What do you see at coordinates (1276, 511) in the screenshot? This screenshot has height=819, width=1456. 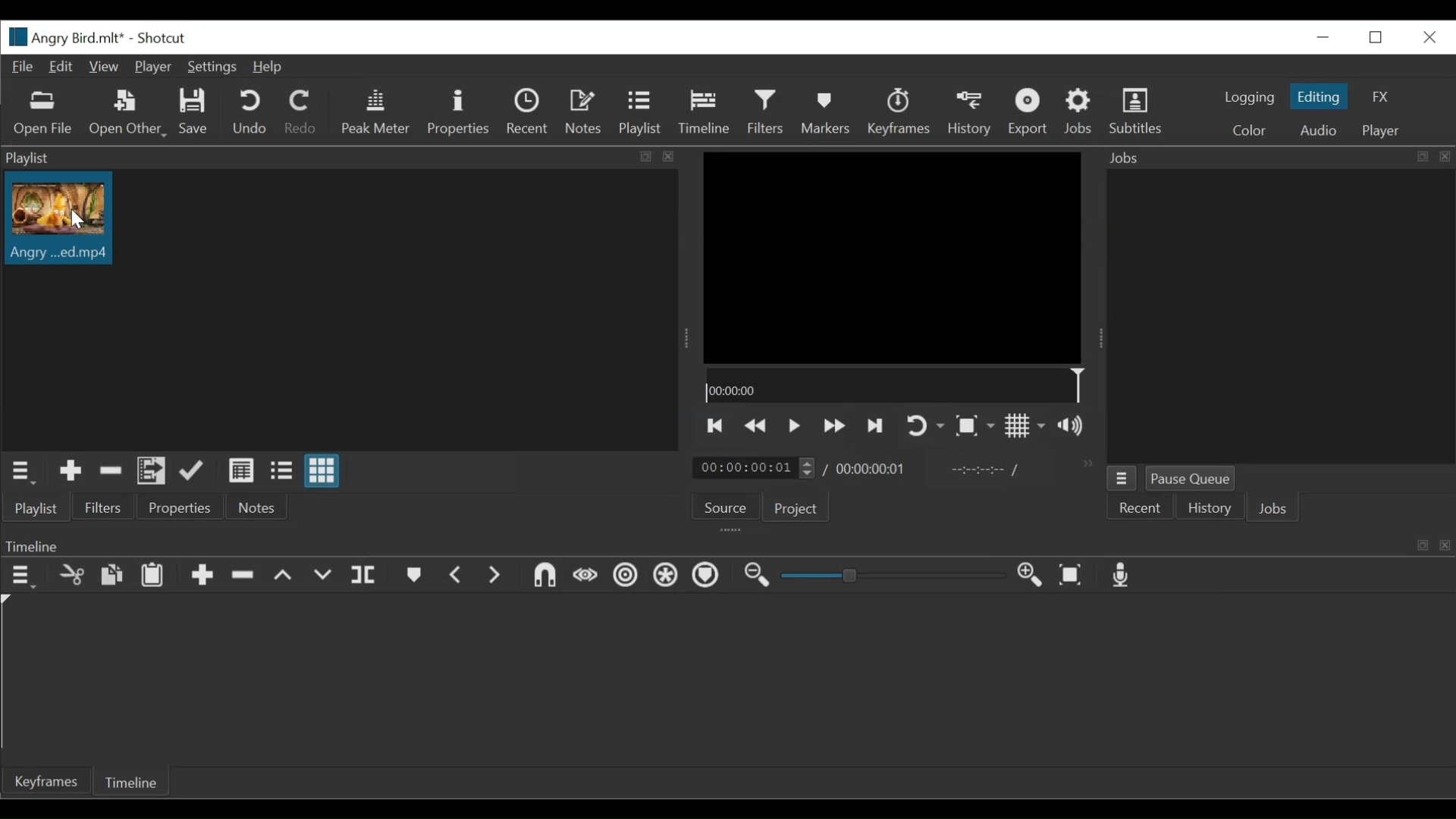 I see `Jobs` at bounding box center [1276, 511].